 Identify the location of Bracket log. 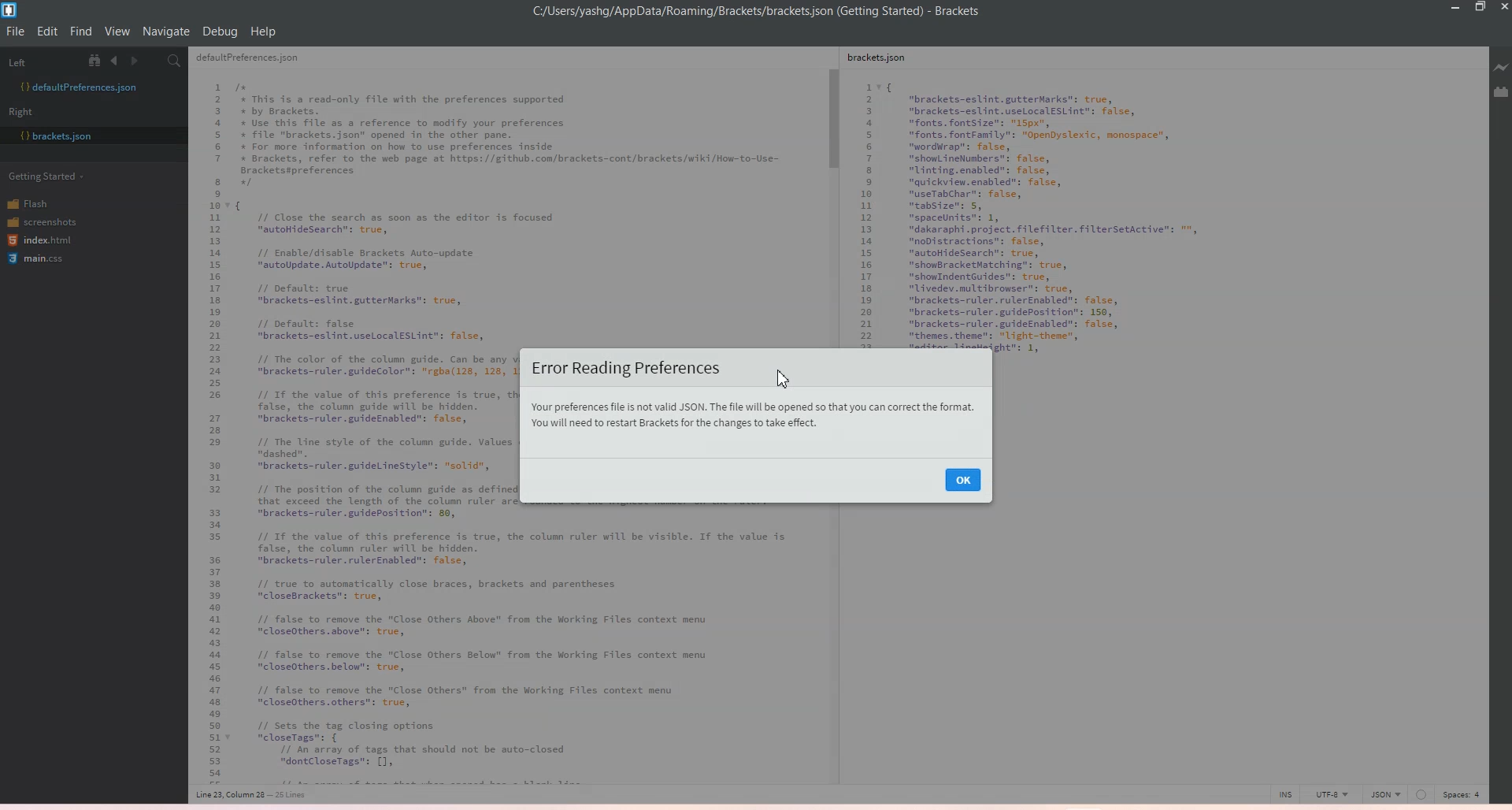
(11, 10).